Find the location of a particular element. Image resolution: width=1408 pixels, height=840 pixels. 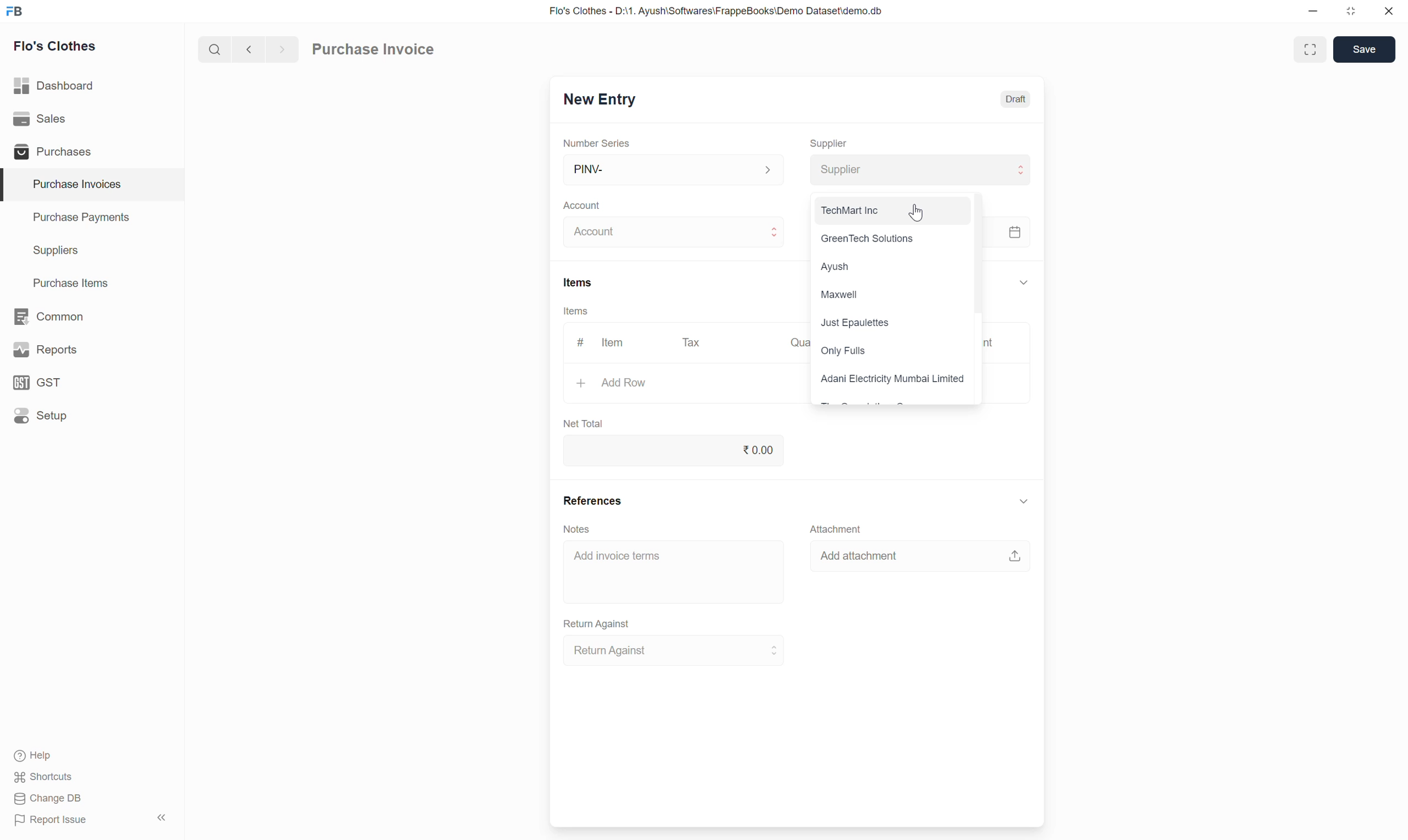

Add Row is located at coordinates (687, 383).